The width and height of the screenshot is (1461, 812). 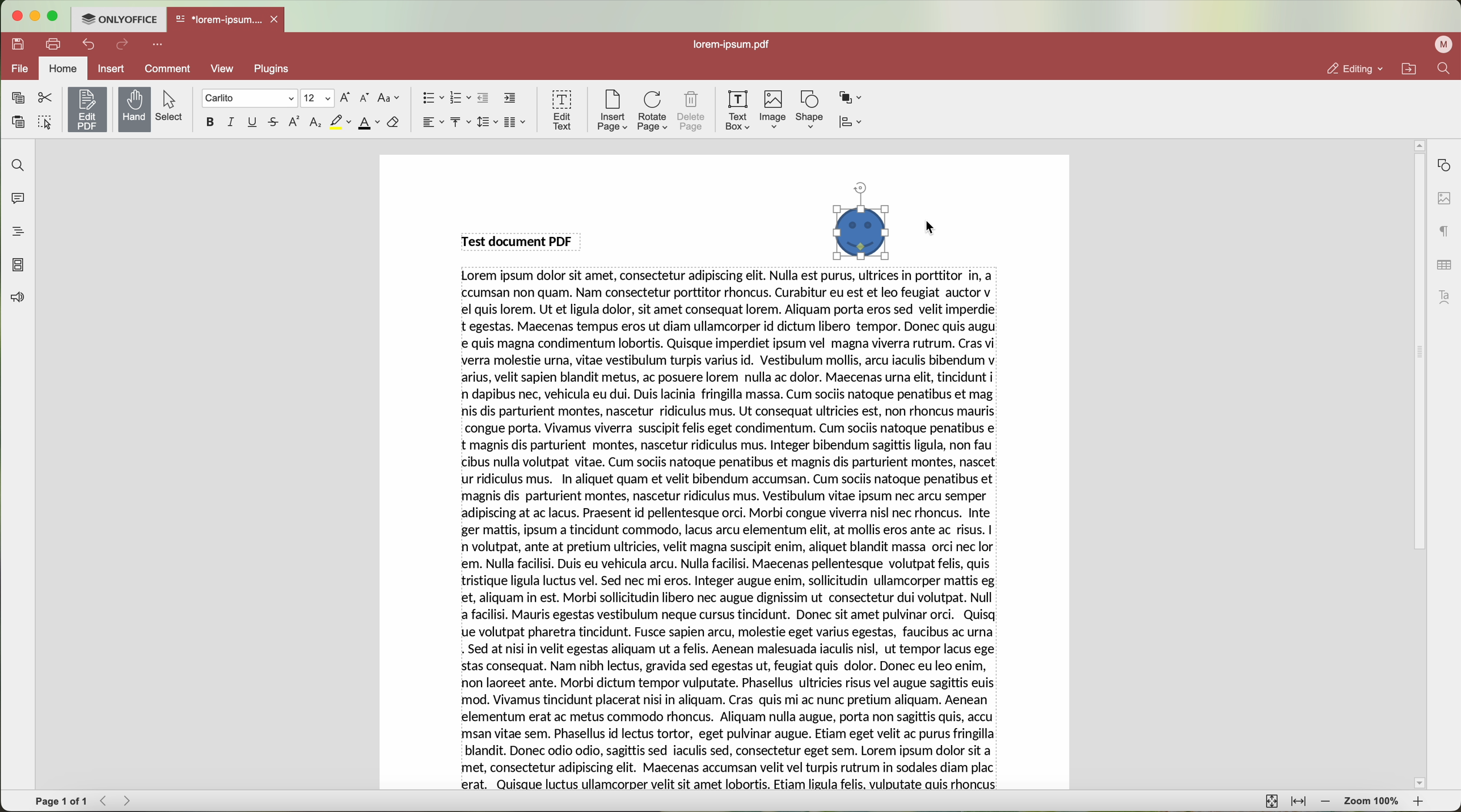 What do you see at coordinates (1300, 802) in the screenshot?
I see `fit to width` at bounding box center [1300, 802].